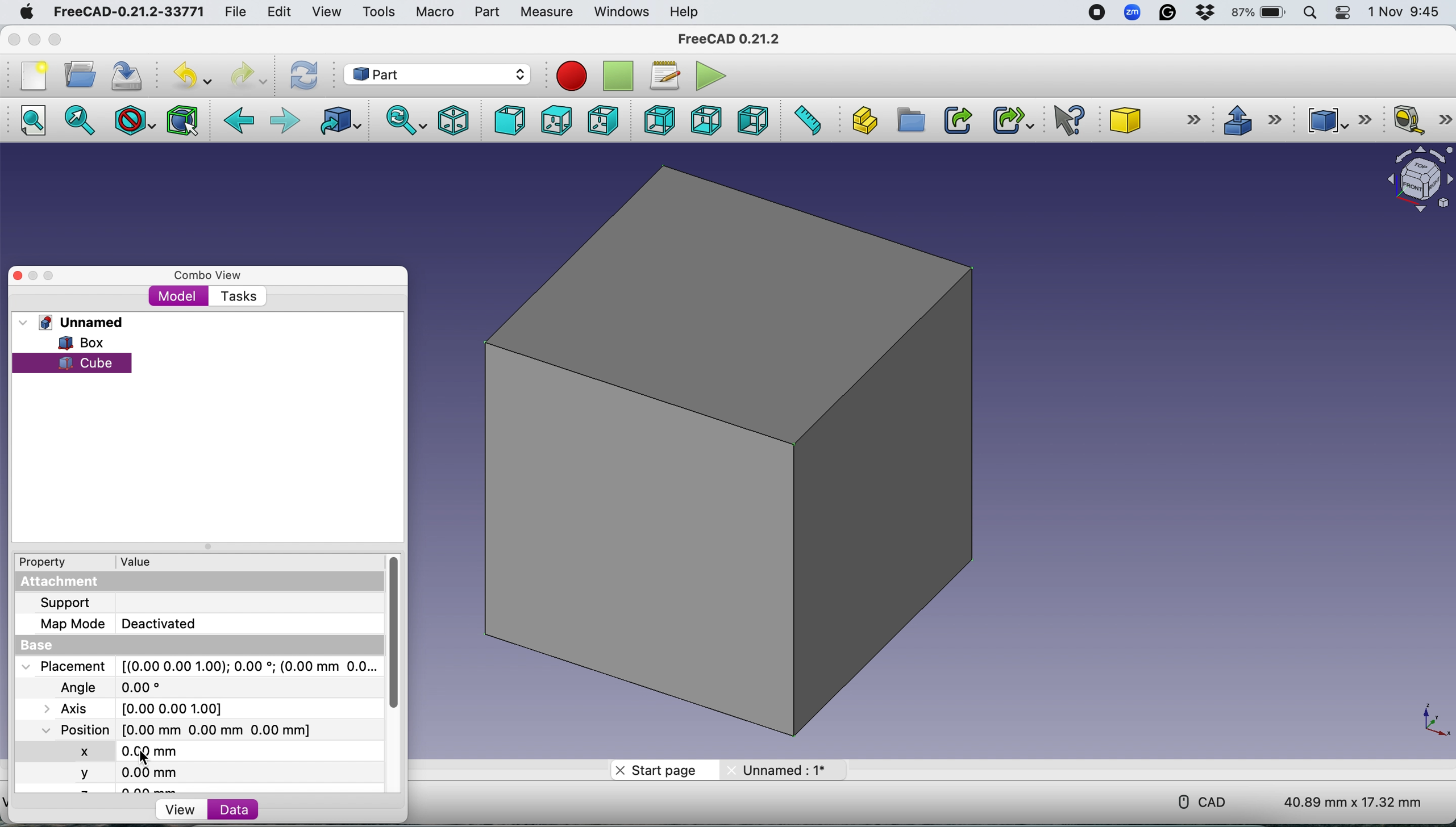  What do you see at coordinates (603, 122) in the screenshot?
I see `Right` at bounding box center [603, 122].